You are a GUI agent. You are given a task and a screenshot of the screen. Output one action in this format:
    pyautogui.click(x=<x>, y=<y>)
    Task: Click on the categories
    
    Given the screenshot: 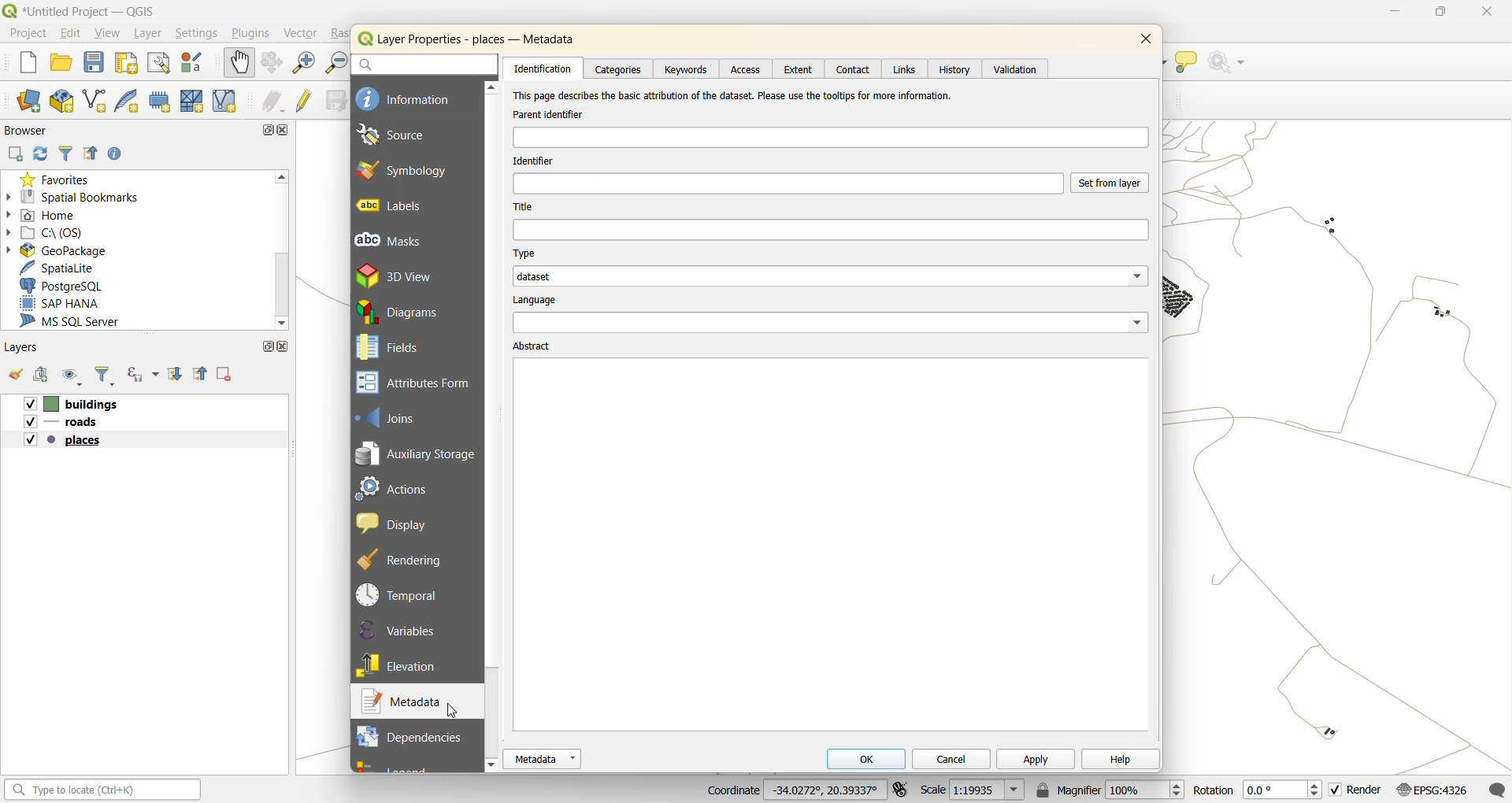 What is the action you would take?
    pyautogui.click(x=624, y=68)
    